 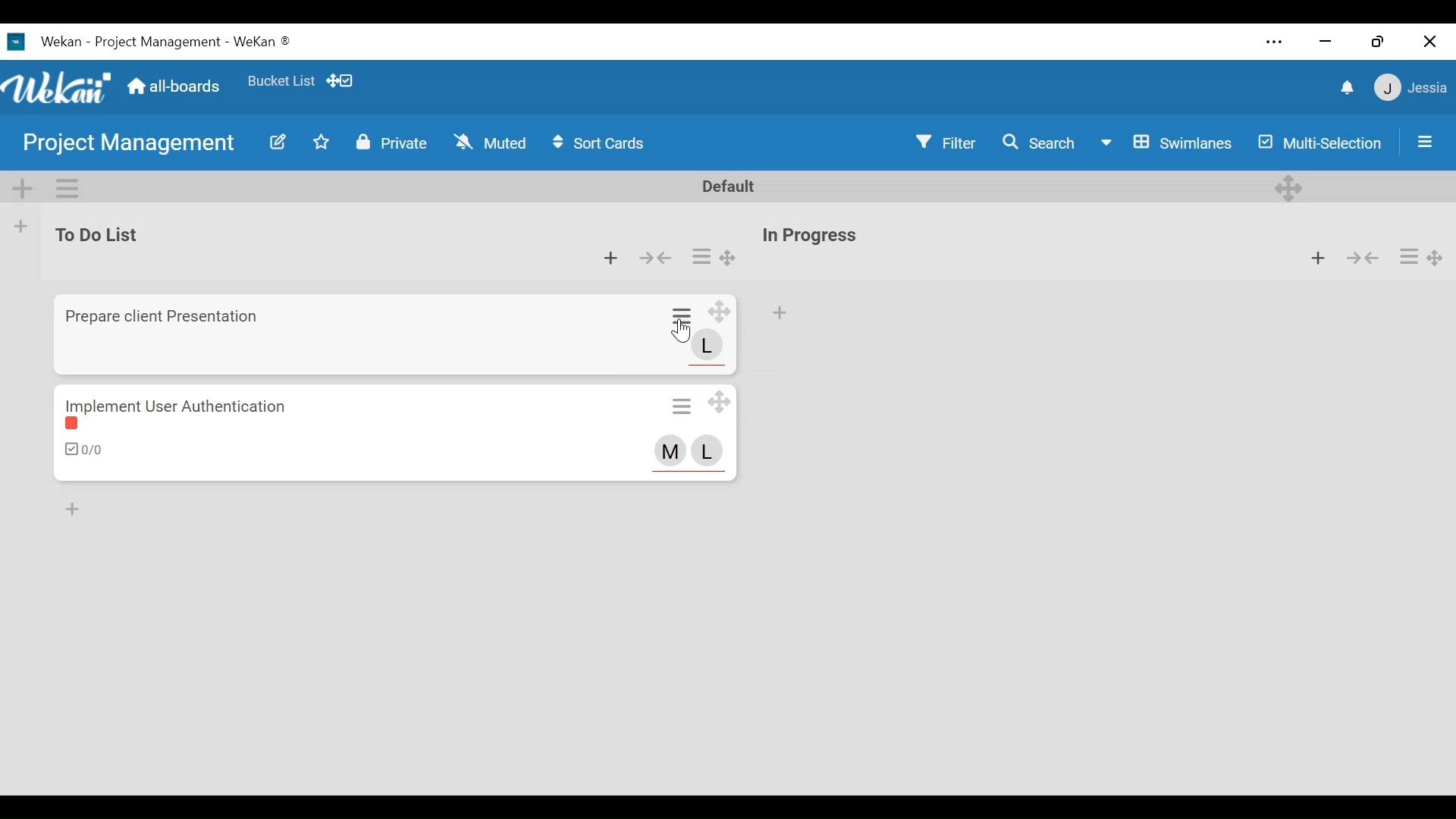 What do you see at coordinates (1318, 258) in the screenshot?
I see `Add card to top of the list` at bounding box center [1318, 258].